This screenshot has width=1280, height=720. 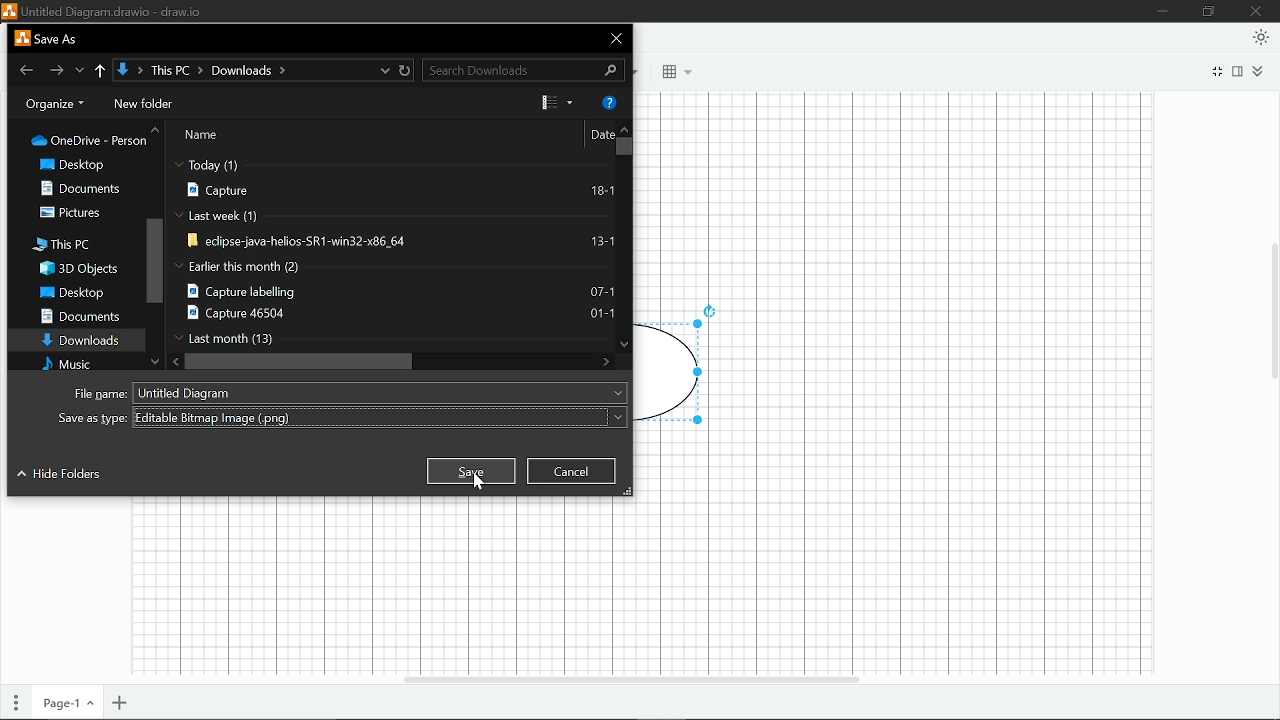 I want to click on Documents, so click(x=79, y=317).